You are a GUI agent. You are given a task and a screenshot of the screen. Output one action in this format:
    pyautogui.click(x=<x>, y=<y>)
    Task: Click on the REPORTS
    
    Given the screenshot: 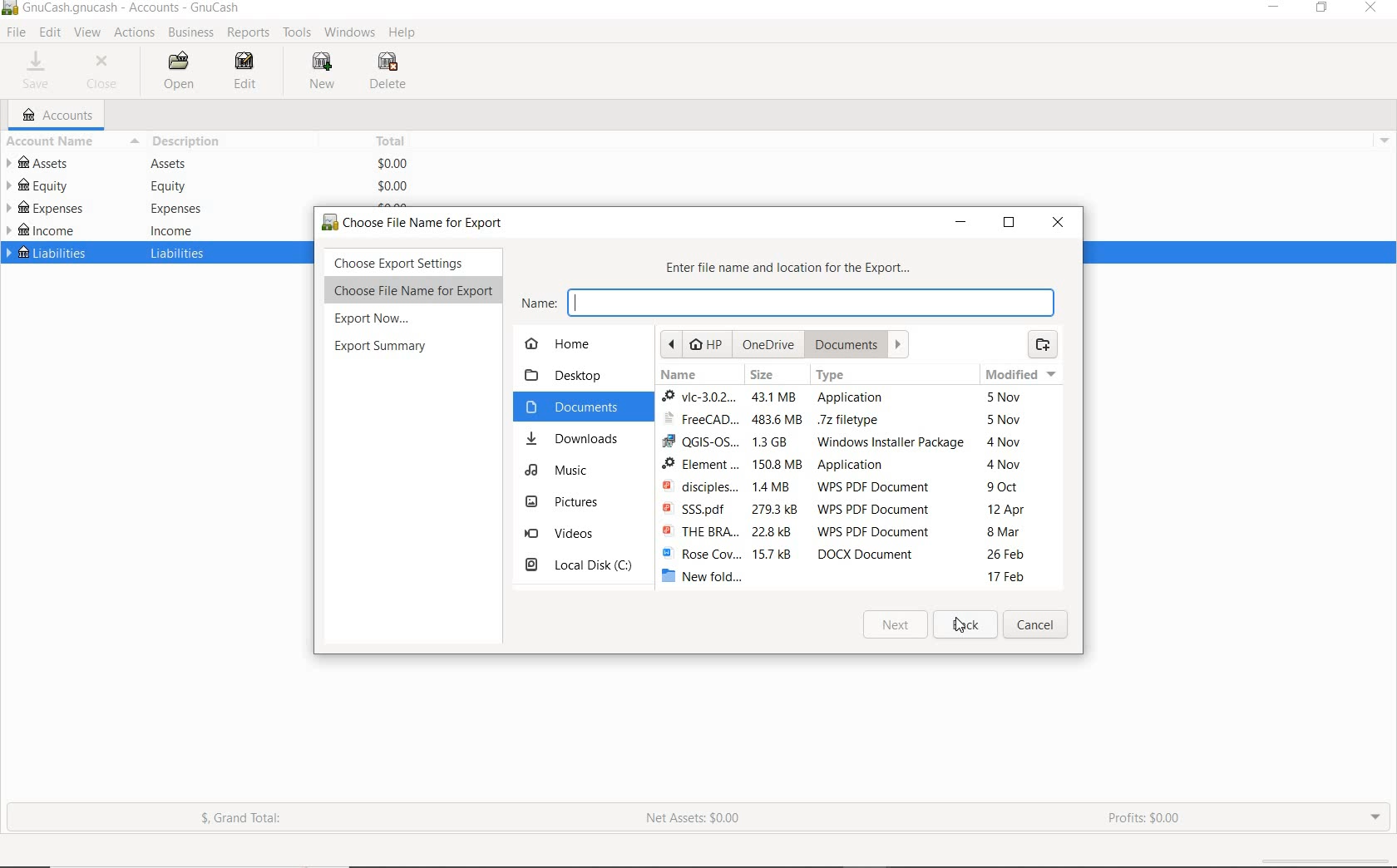 What is the action you would take?
    pyautogui.click(x=249, y=33)
    